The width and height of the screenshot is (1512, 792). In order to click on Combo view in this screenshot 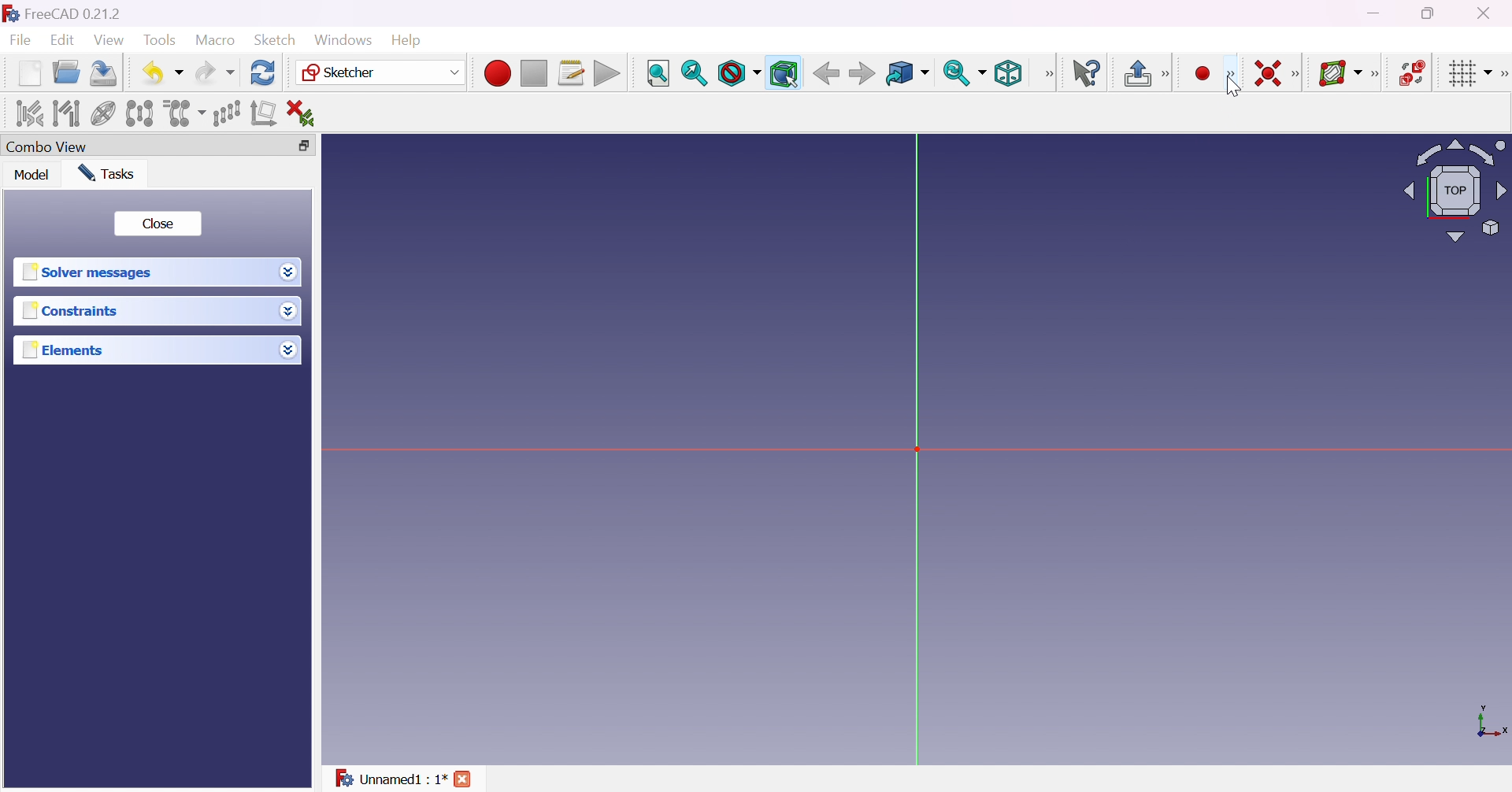, I will do `click(46, 148)`.